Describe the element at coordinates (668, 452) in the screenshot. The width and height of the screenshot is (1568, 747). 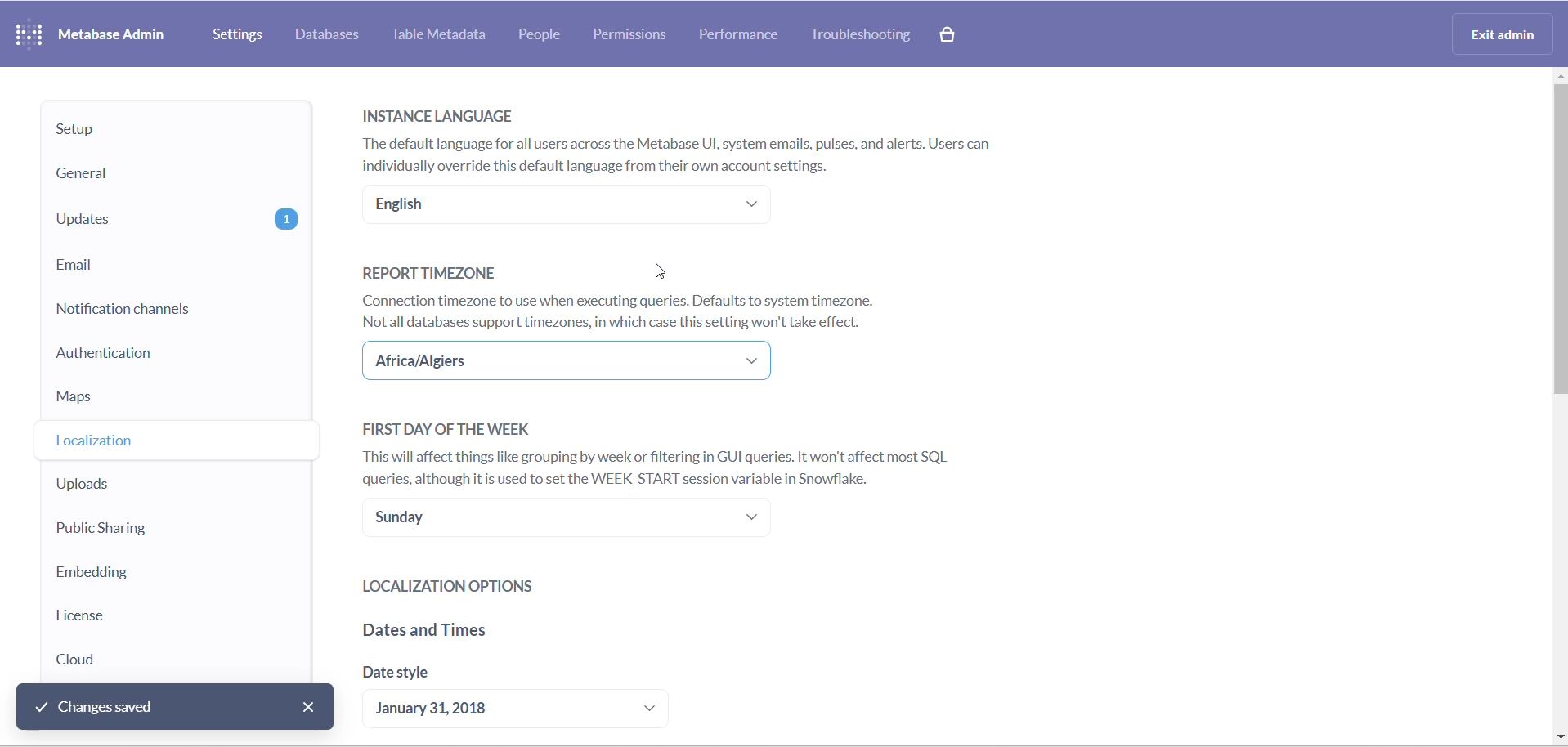
I see `FIRST DAY OF THE WEEK
This will affect things like grouping by week or filtering in GUI queries. It won't affect most SQL
queries, although it is used to set the WEEK _START session variable in Snowflake.` at that location.